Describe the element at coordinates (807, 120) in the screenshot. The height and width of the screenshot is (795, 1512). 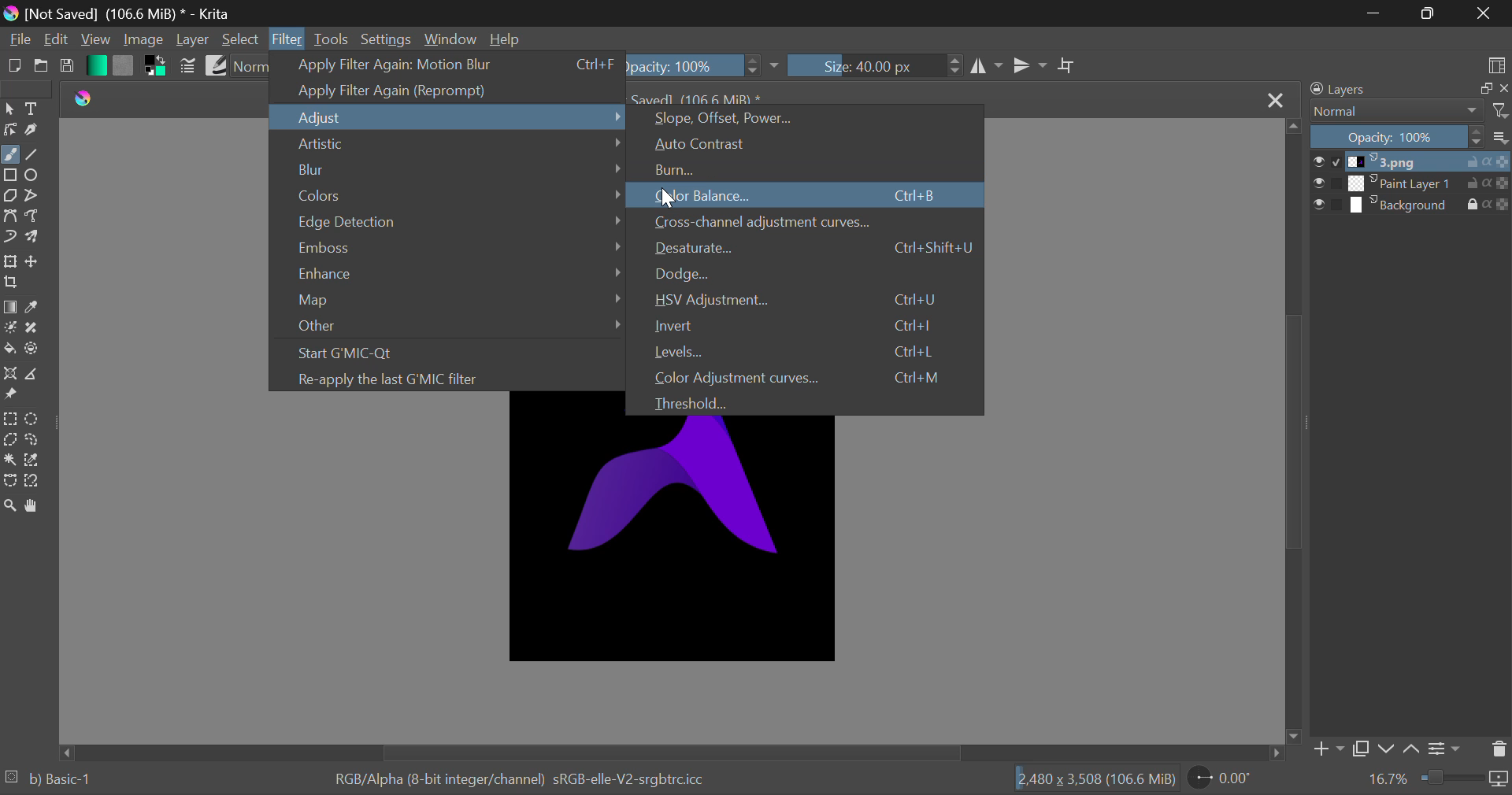
I see `Slope, Offset, Power` at that location.